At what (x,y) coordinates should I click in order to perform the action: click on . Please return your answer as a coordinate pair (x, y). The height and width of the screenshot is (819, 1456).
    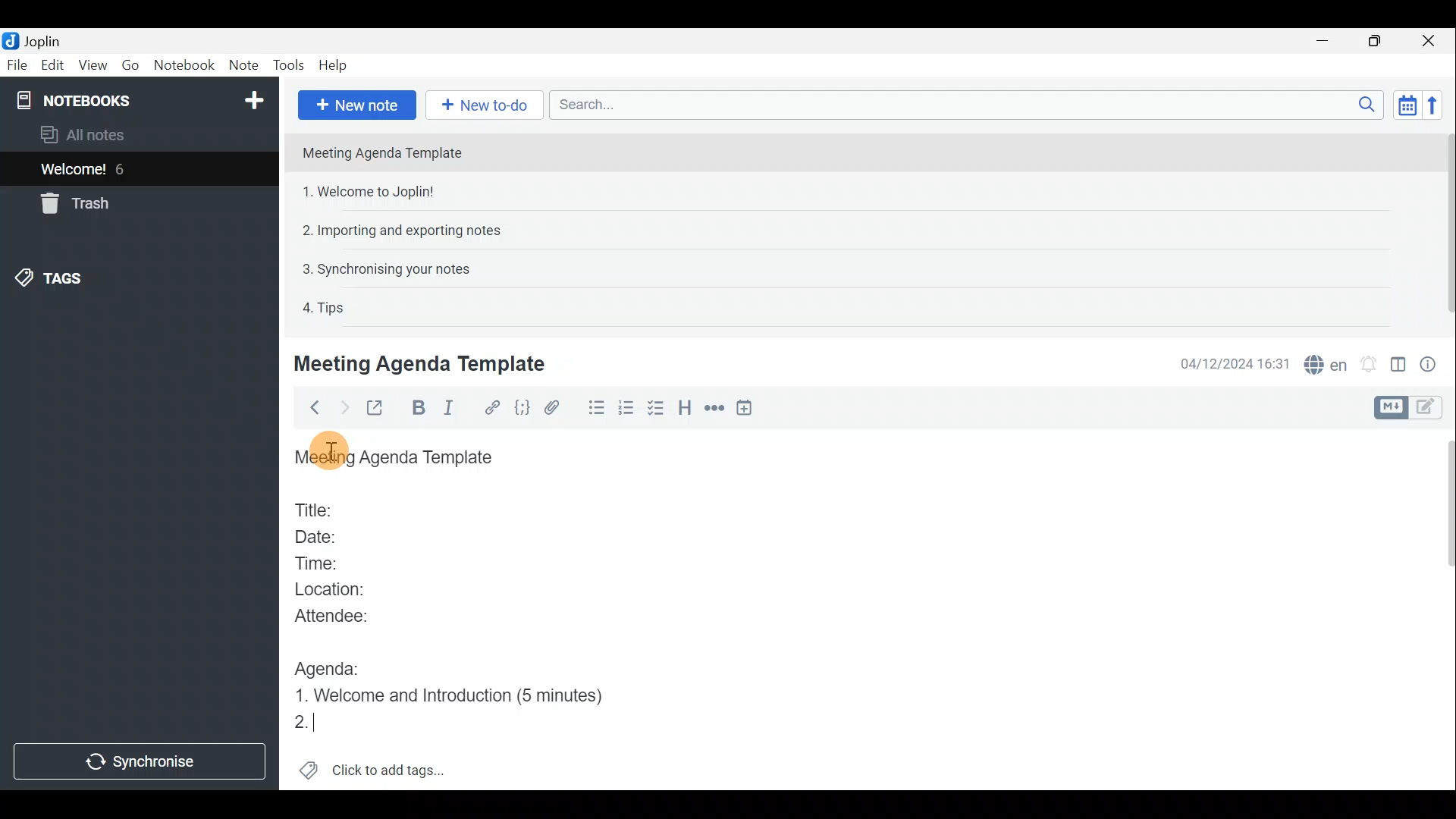
    Looking at the image, I should click on (331, 452).